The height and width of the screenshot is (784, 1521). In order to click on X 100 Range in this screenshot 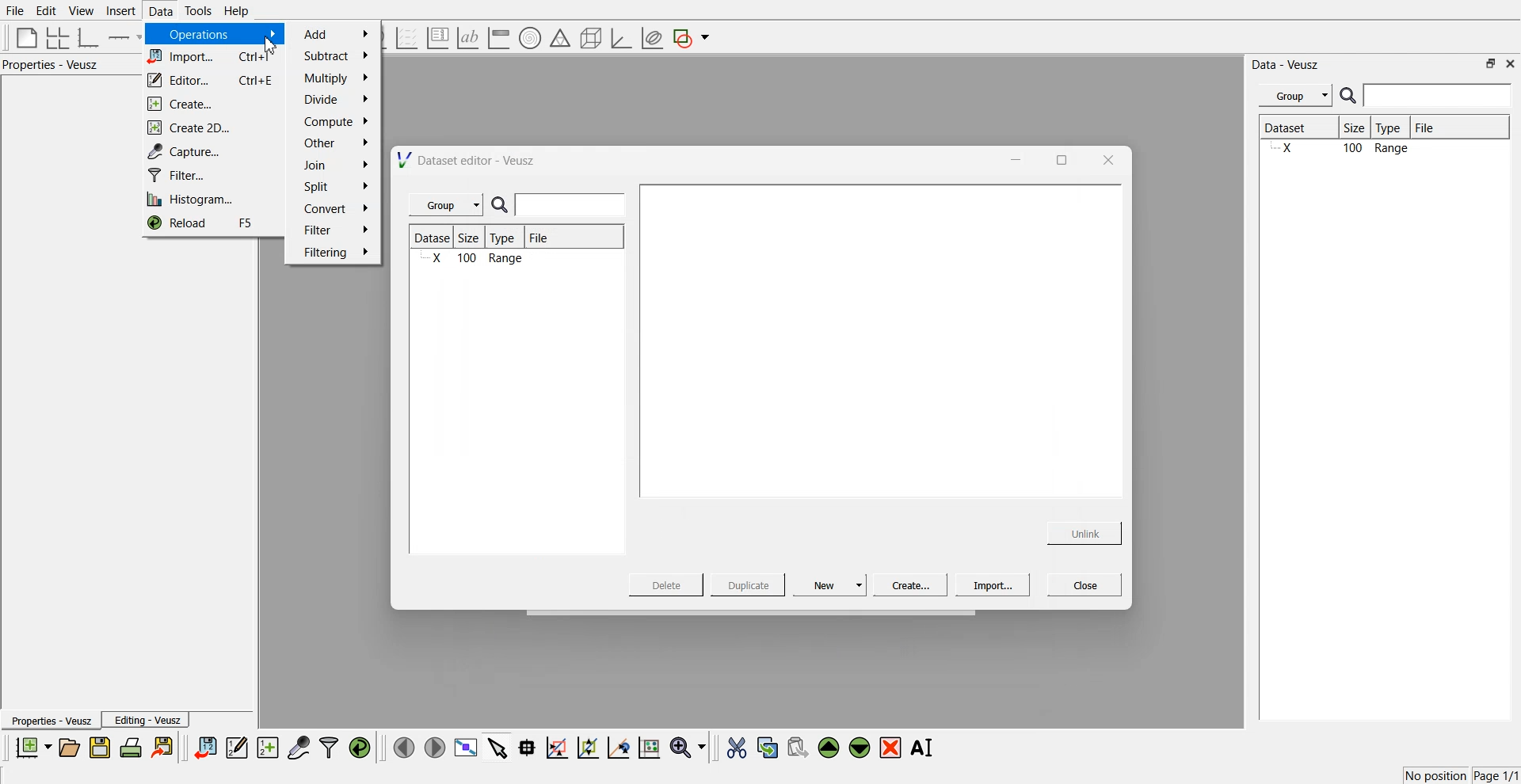, I will do `click(475, 260)`.